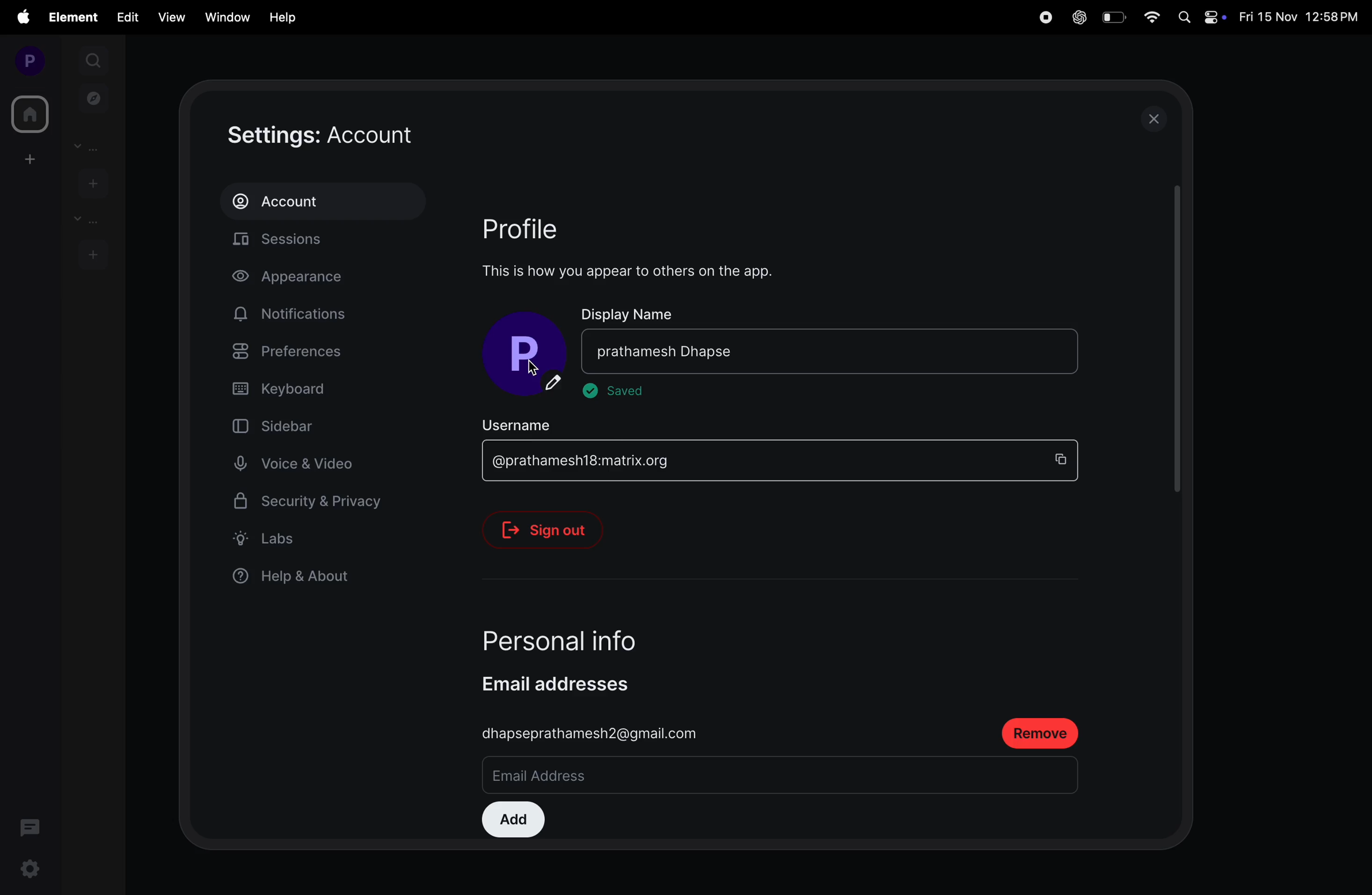  Describe the element at coordinates (1065, 454) in the screenshot. I see `copy` at that location.